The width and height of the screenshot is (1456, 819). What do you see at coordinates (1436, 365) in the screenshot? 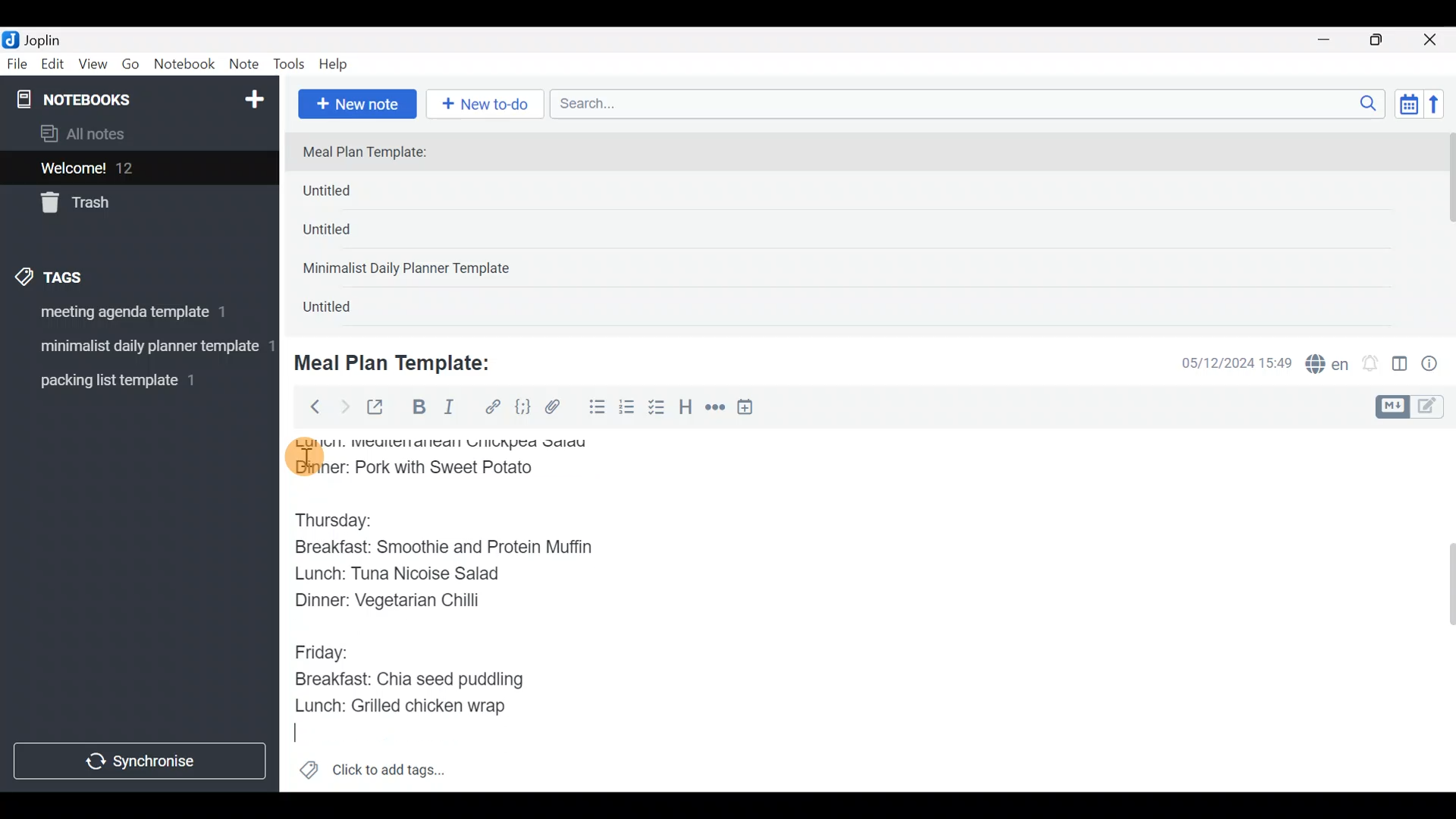
I see `Note properties` at bounding box center [1436, 365].